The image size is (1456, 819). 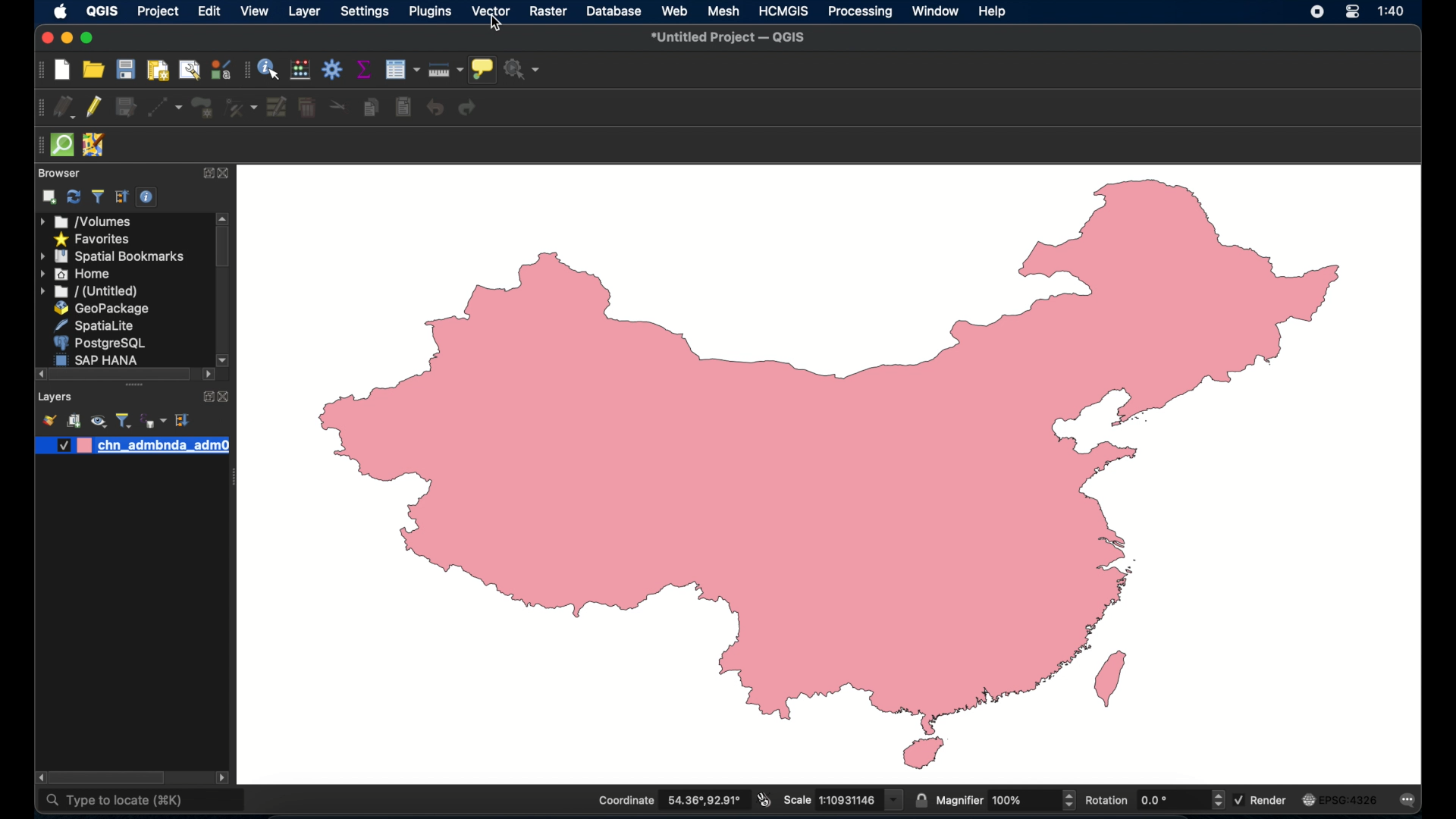 I want to click on digitize with segment, so click(x=165, y=107).